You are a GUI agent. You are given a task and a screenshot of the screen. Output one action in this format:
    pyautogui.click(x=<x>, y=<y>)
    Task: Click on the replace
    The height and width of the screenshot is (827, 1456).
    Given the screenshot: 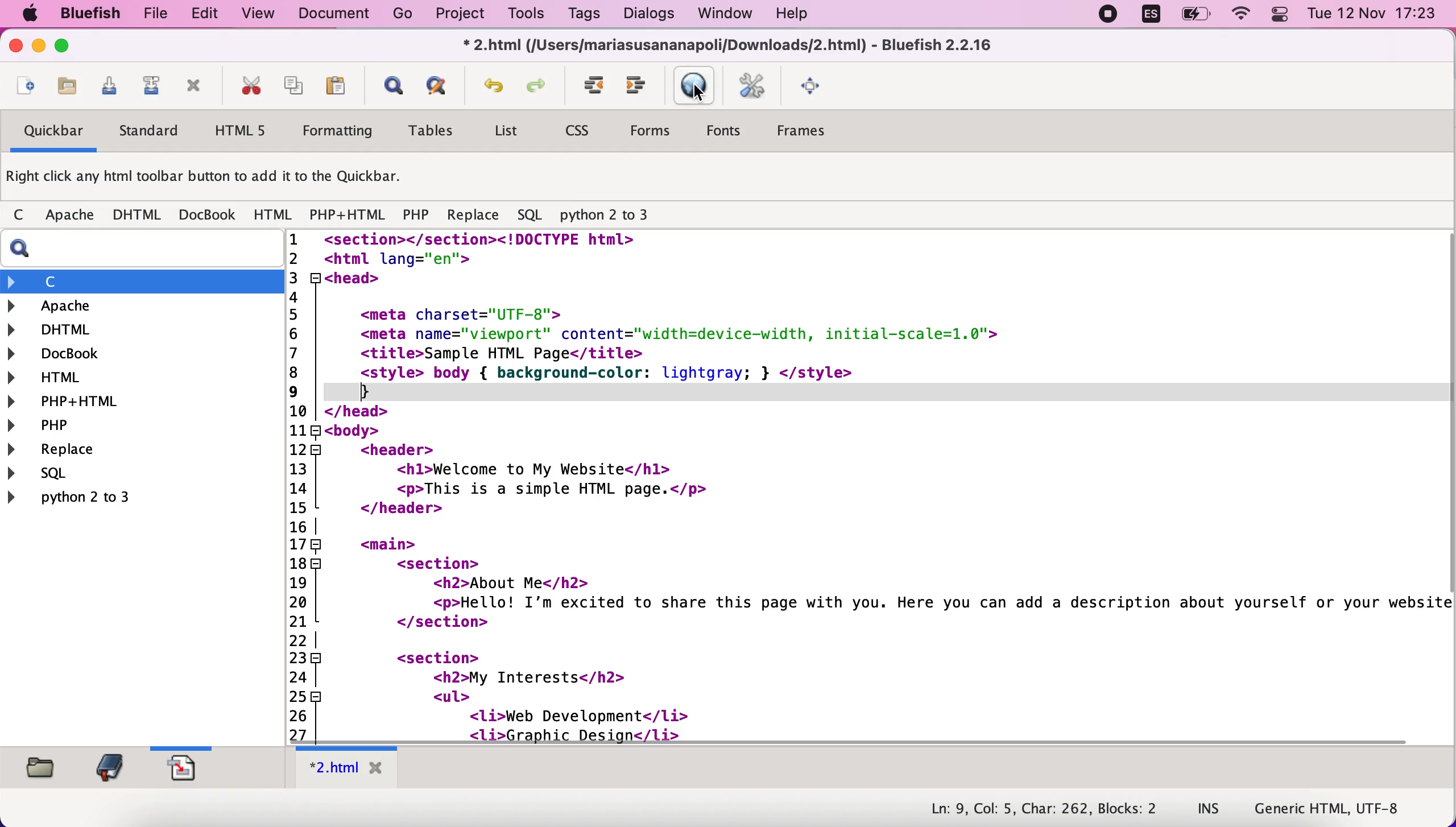 What is the action you would take?
    pyautogui.click(x=476, y=214)
    